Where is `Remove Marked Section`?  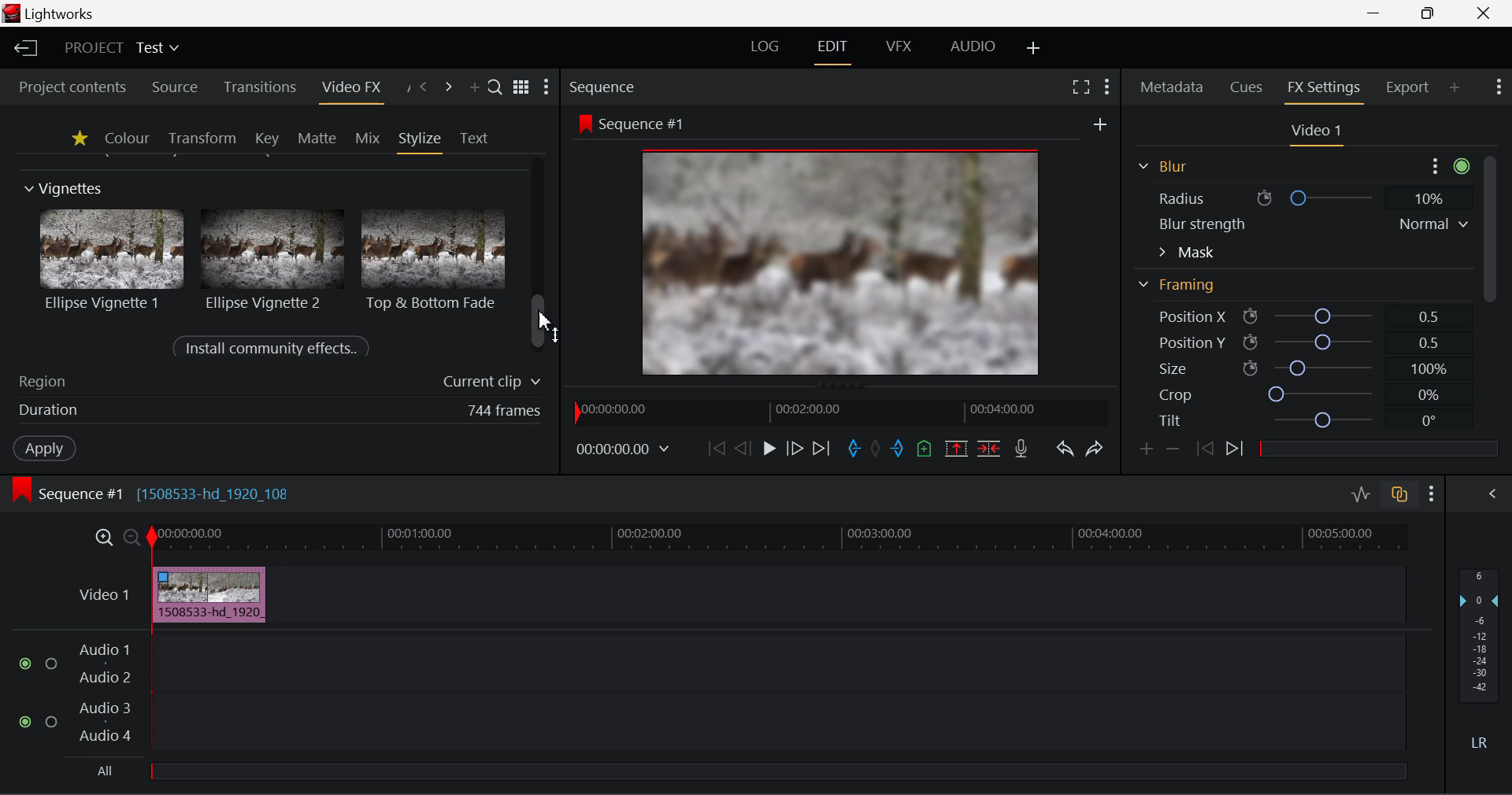 Remove Marked Section is located at coordinates (958, 447).